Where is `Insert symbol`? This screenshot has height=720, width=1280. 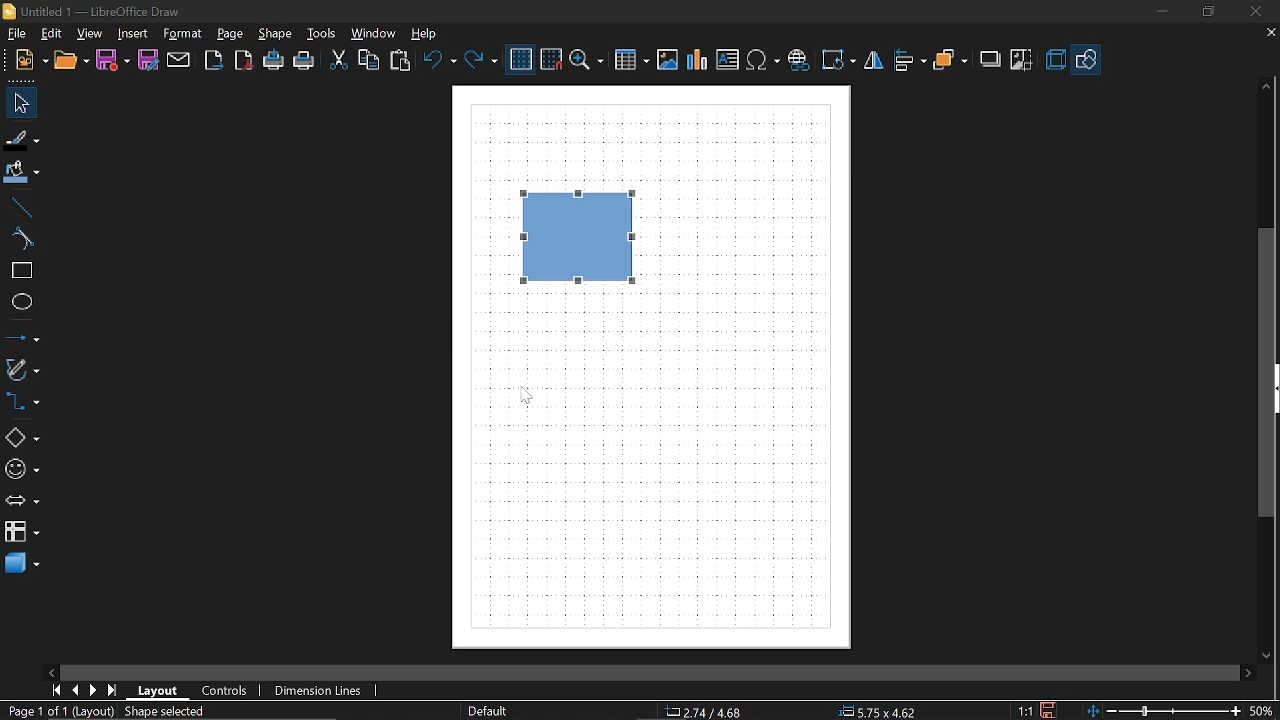 Insert symbol is located at coordinates (798, 60).